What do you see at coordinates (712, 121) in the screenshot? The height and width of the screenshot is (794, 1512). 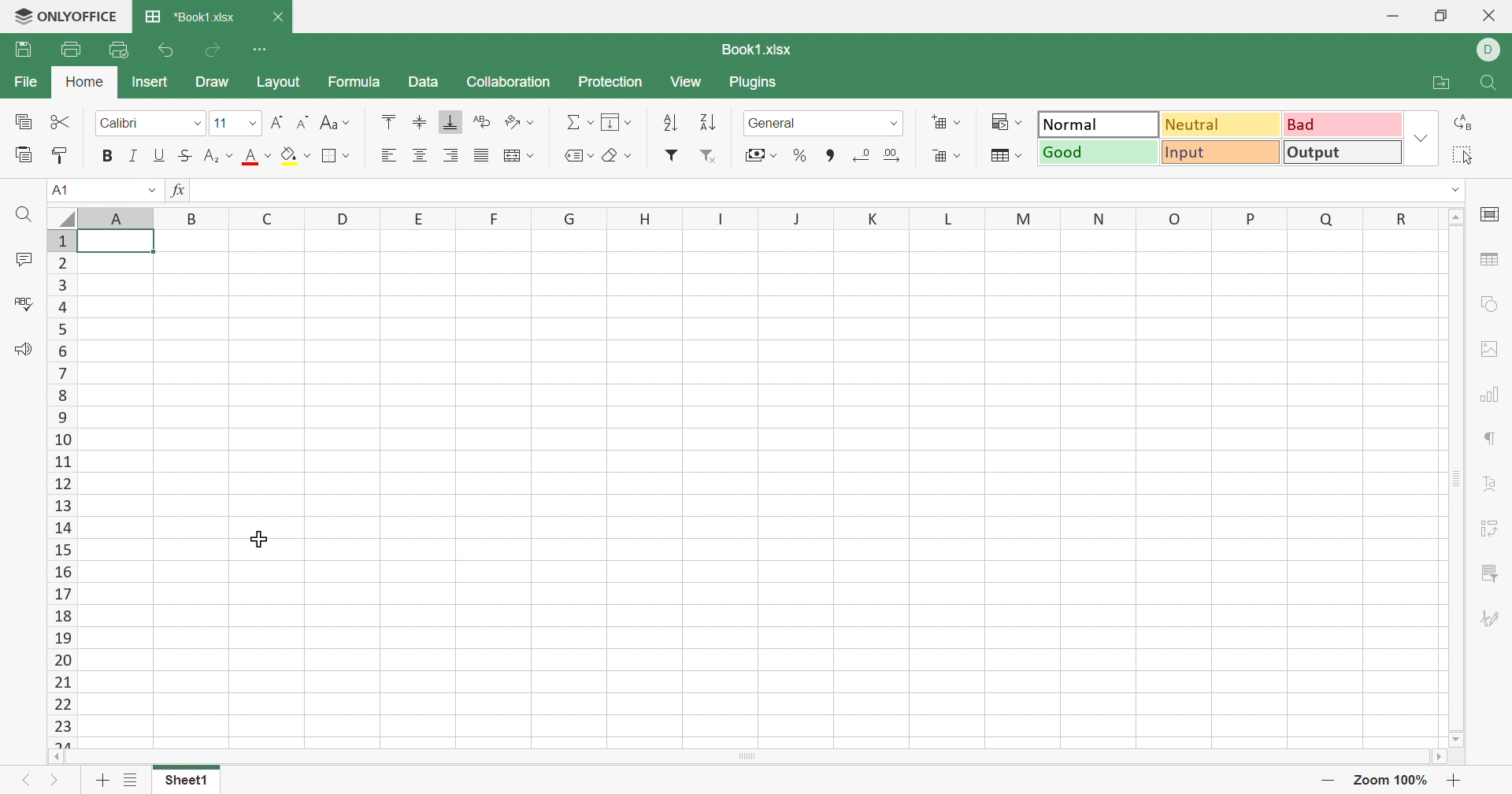 I see `Descending order` at bounding box center [712, 121].